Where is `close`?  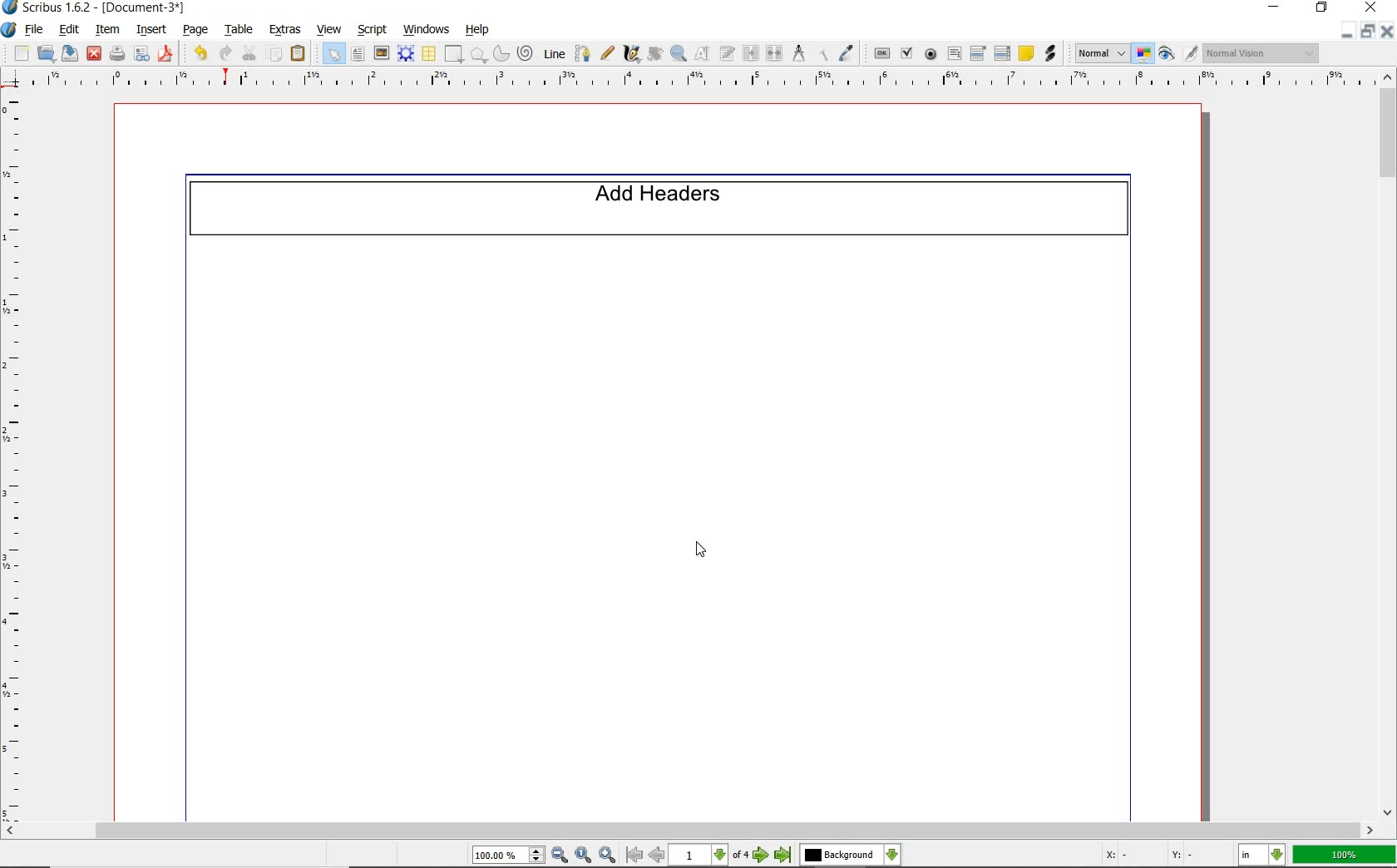
close is located at coordinates (95, 55).